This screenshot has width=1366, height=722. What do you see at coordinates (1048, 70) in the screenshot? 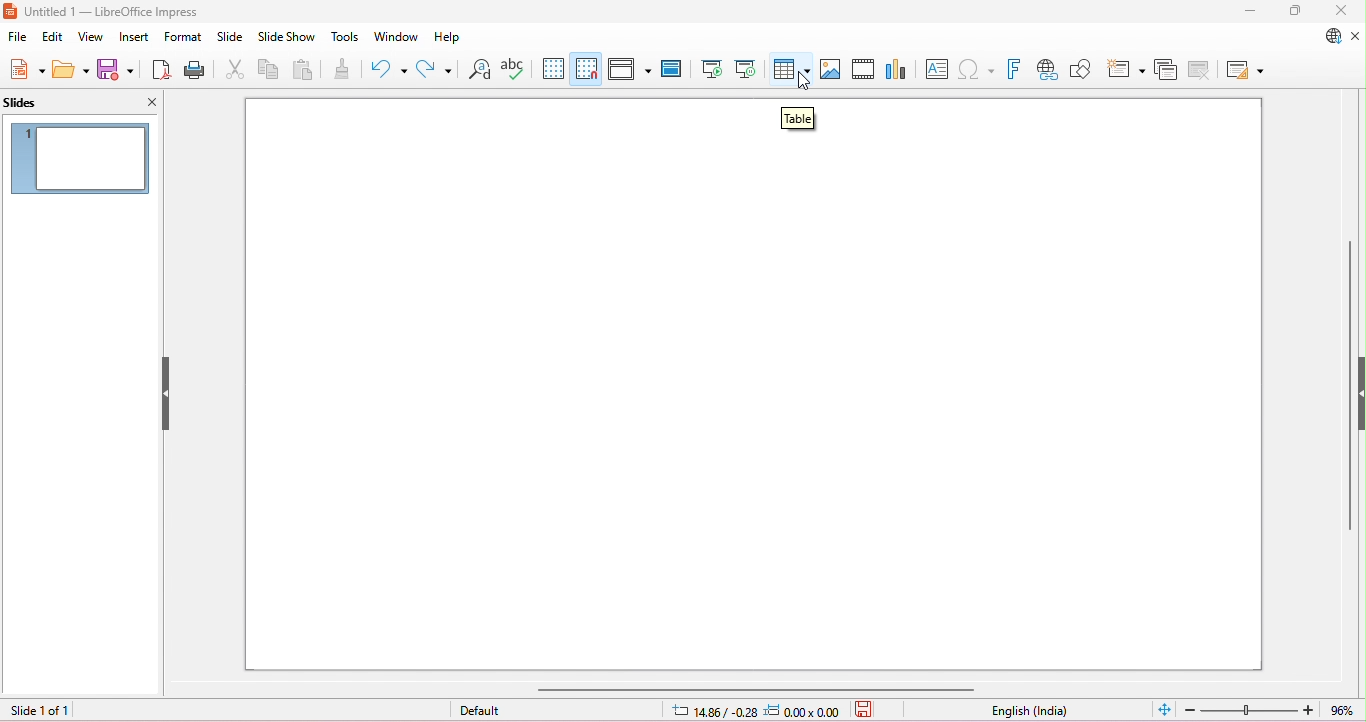
I see `insert hyperlink` at bounding box center [1048, 70].